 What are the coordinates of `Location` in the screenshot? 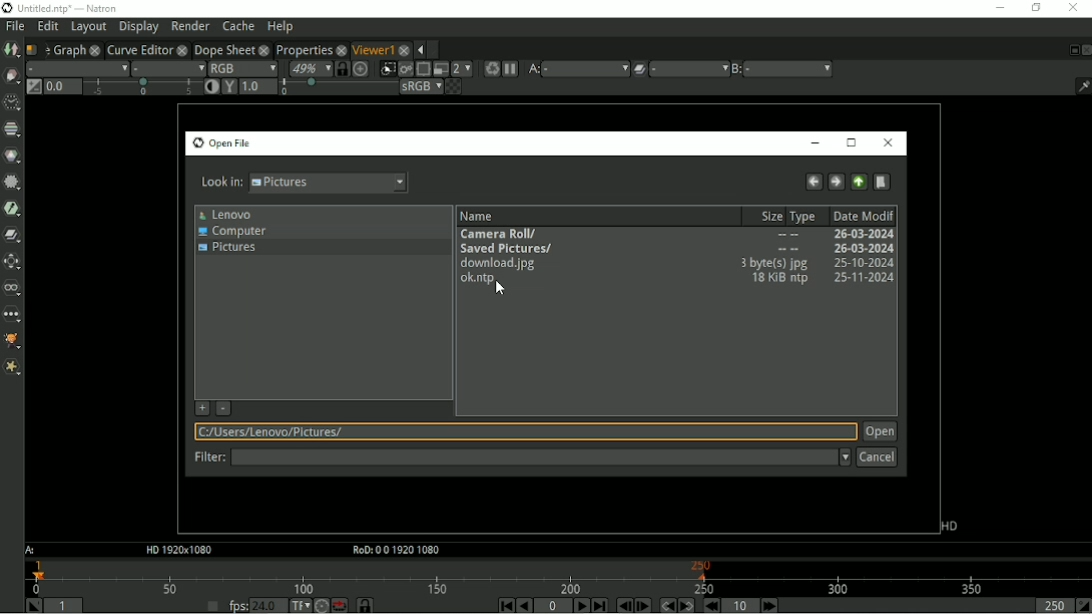 It's located at (522, 432).